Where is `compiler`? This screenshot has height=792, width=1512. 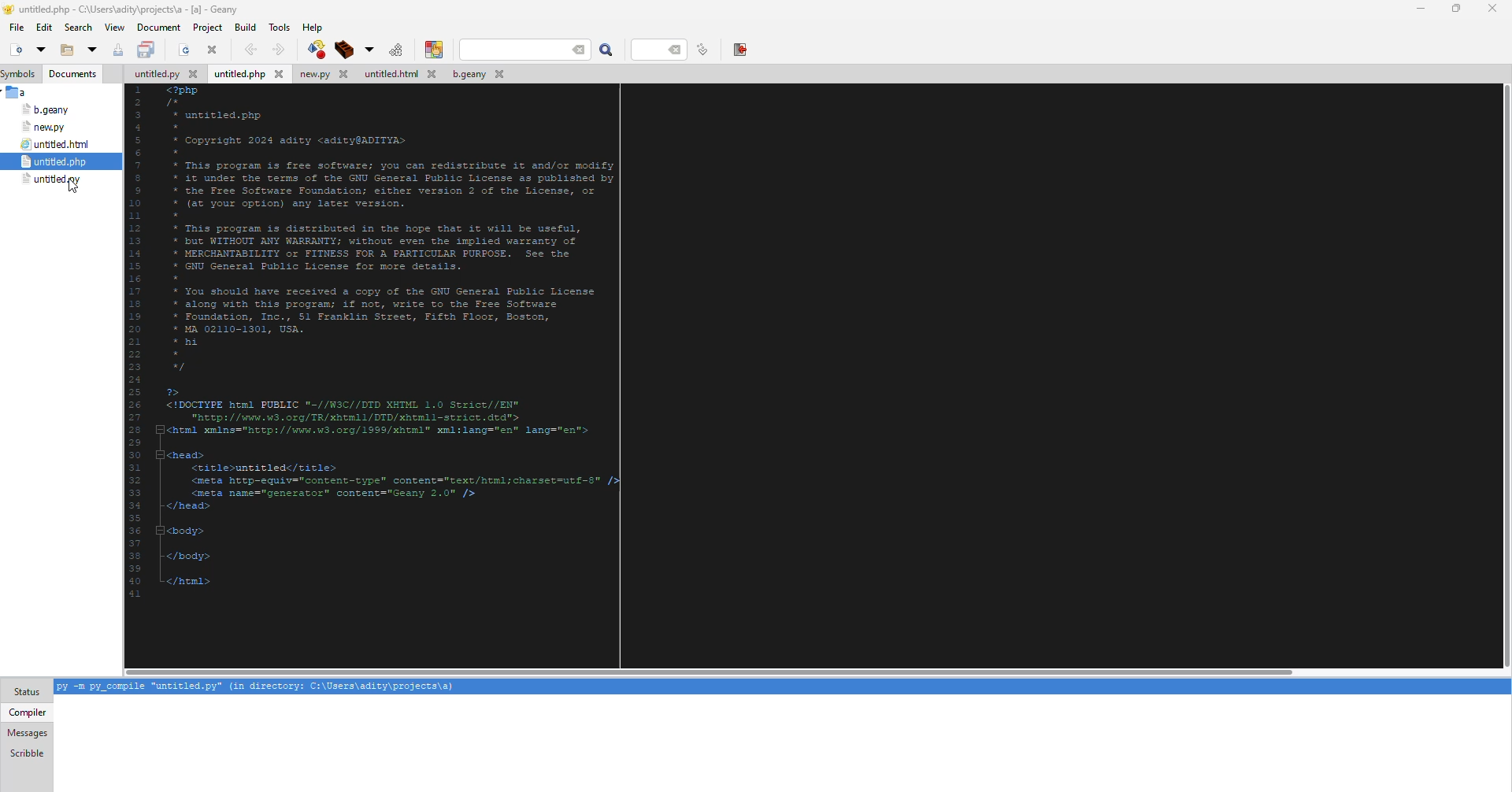 compiler is located at coordinates (28, 712).